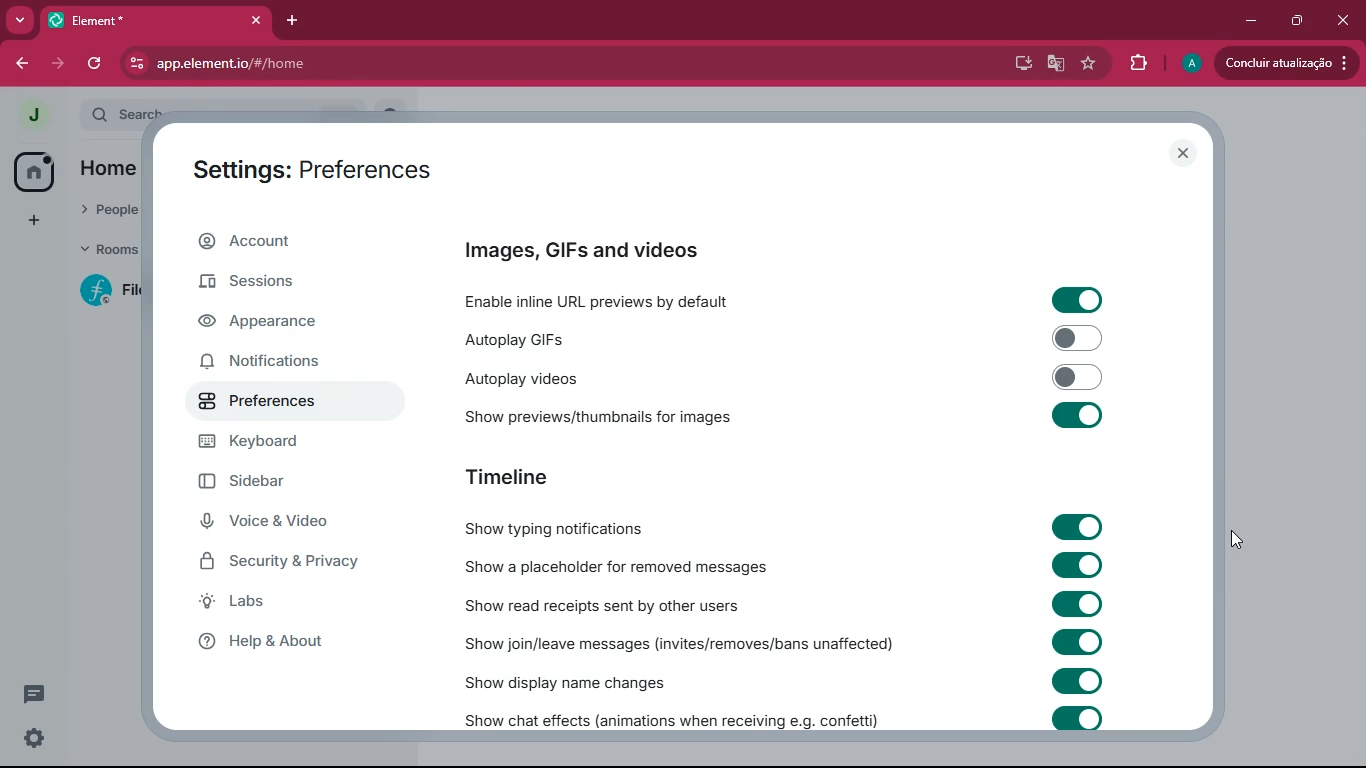 Image resolution: width=1366 pixels, height=768 pixels. I want to click on add tab, so click(295, 21).